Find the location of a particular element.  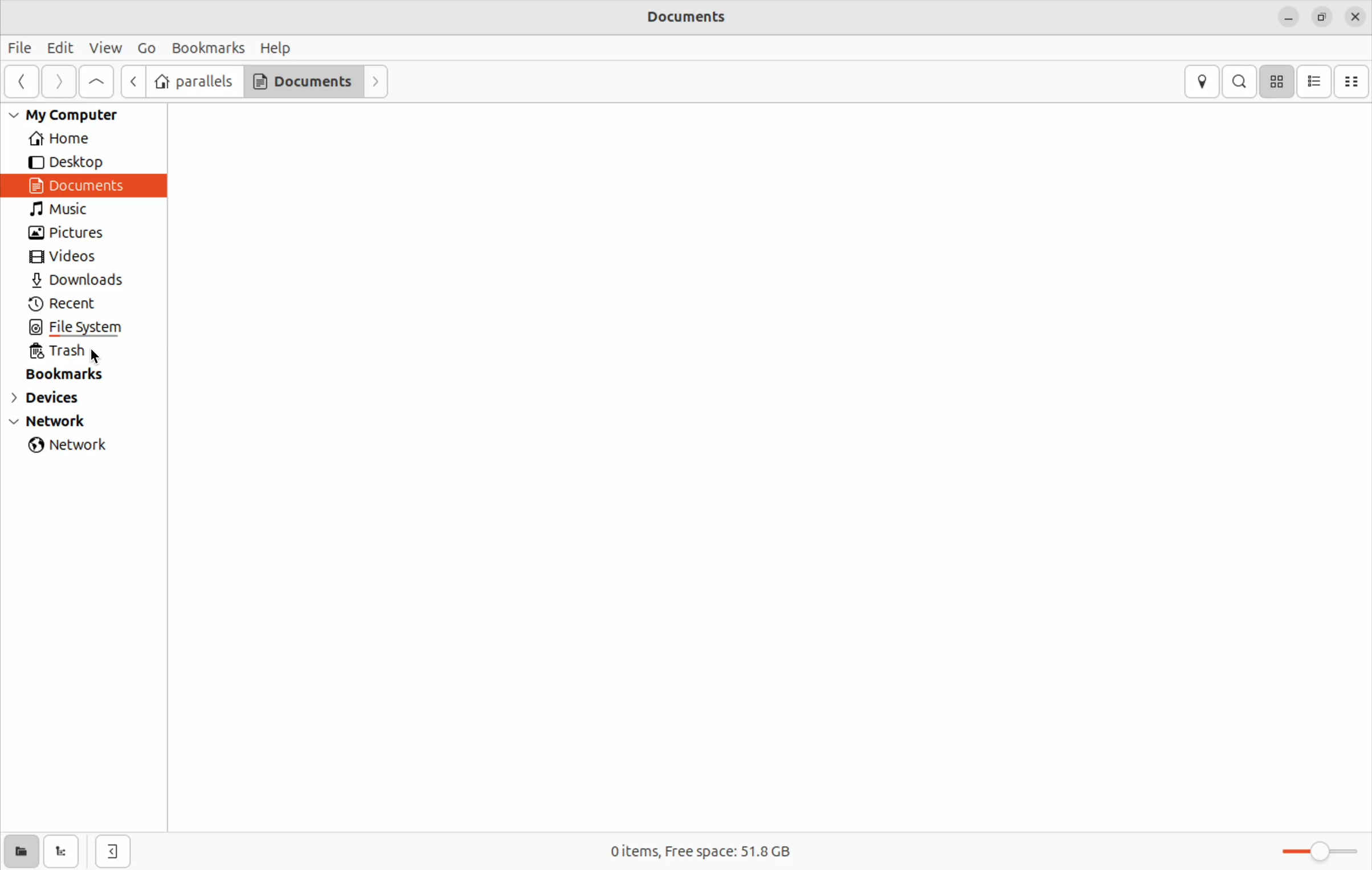

close is located at coordinates (1355, 18).